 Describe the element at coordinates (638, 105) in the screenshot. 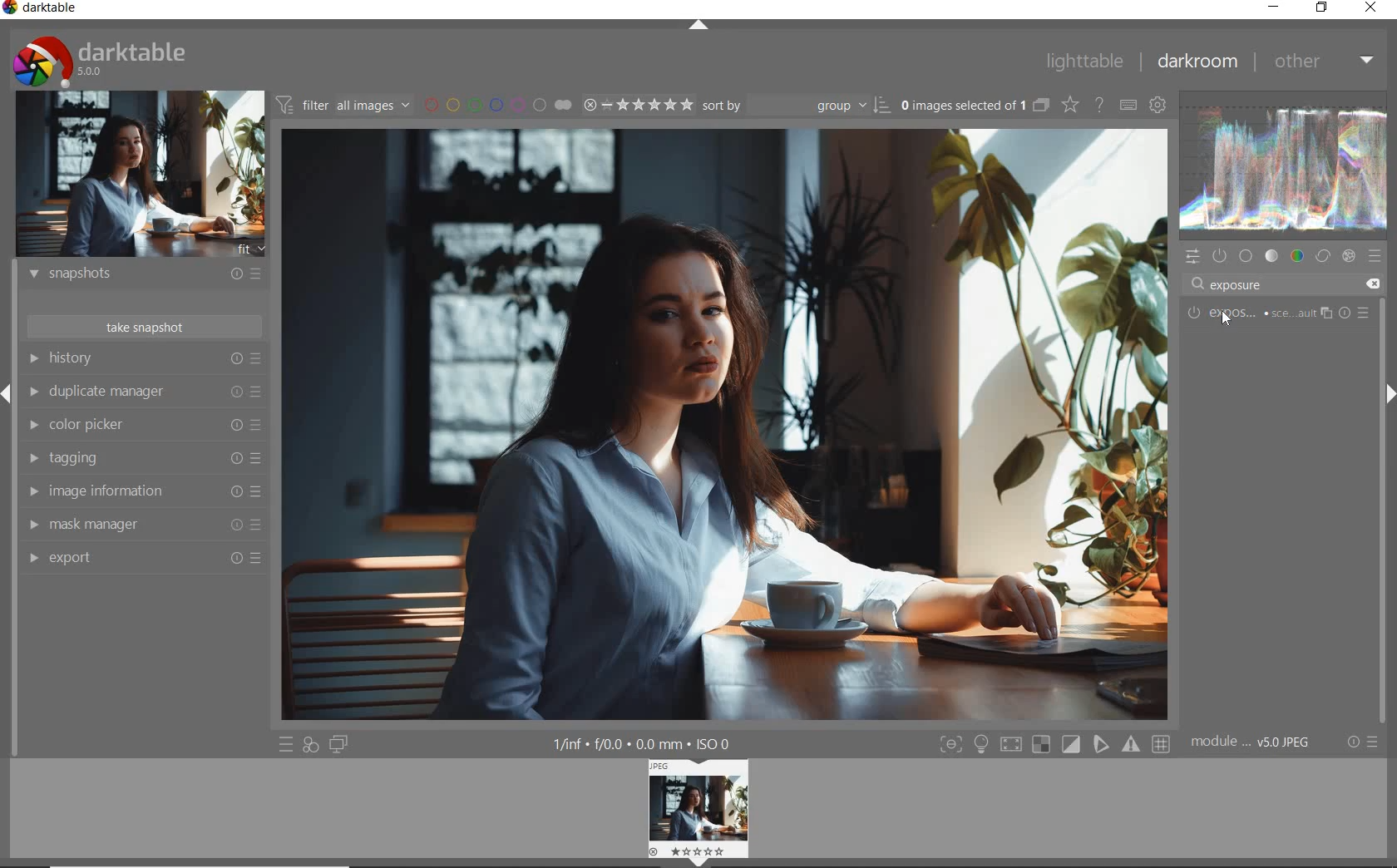

I see `range rating of selected images` at that location.